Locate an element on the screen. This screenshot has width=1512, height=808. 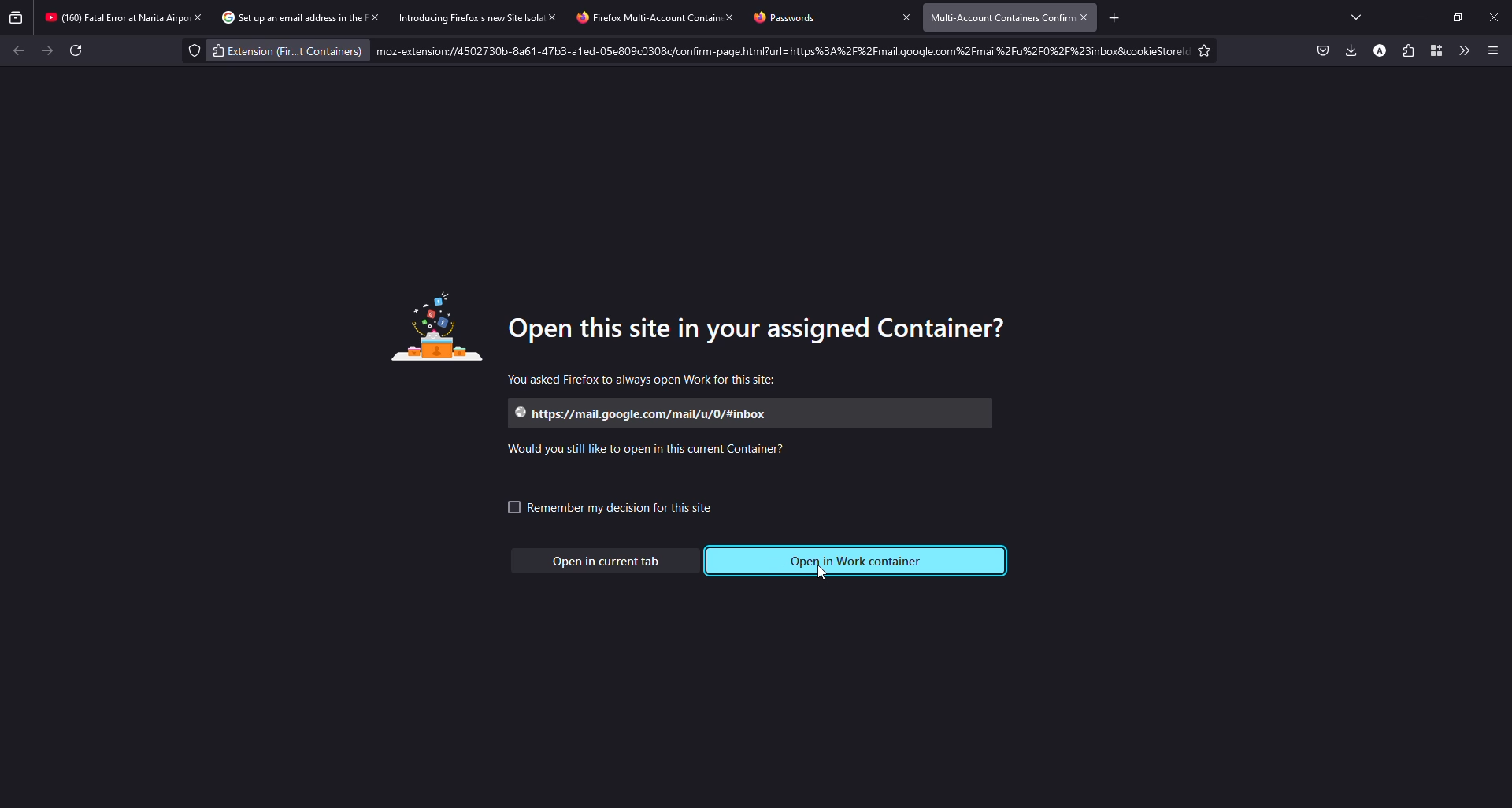
moz-extension://4502730b-8a61-47b3-a1ed-05e809c0308¢/confirm-page.htmi?url=https%3A%2F%2Fmail.google.com%2Fmail%2Fu%2F0%2F%23inbox8tcookieStol is located at coordinates (772, 52).